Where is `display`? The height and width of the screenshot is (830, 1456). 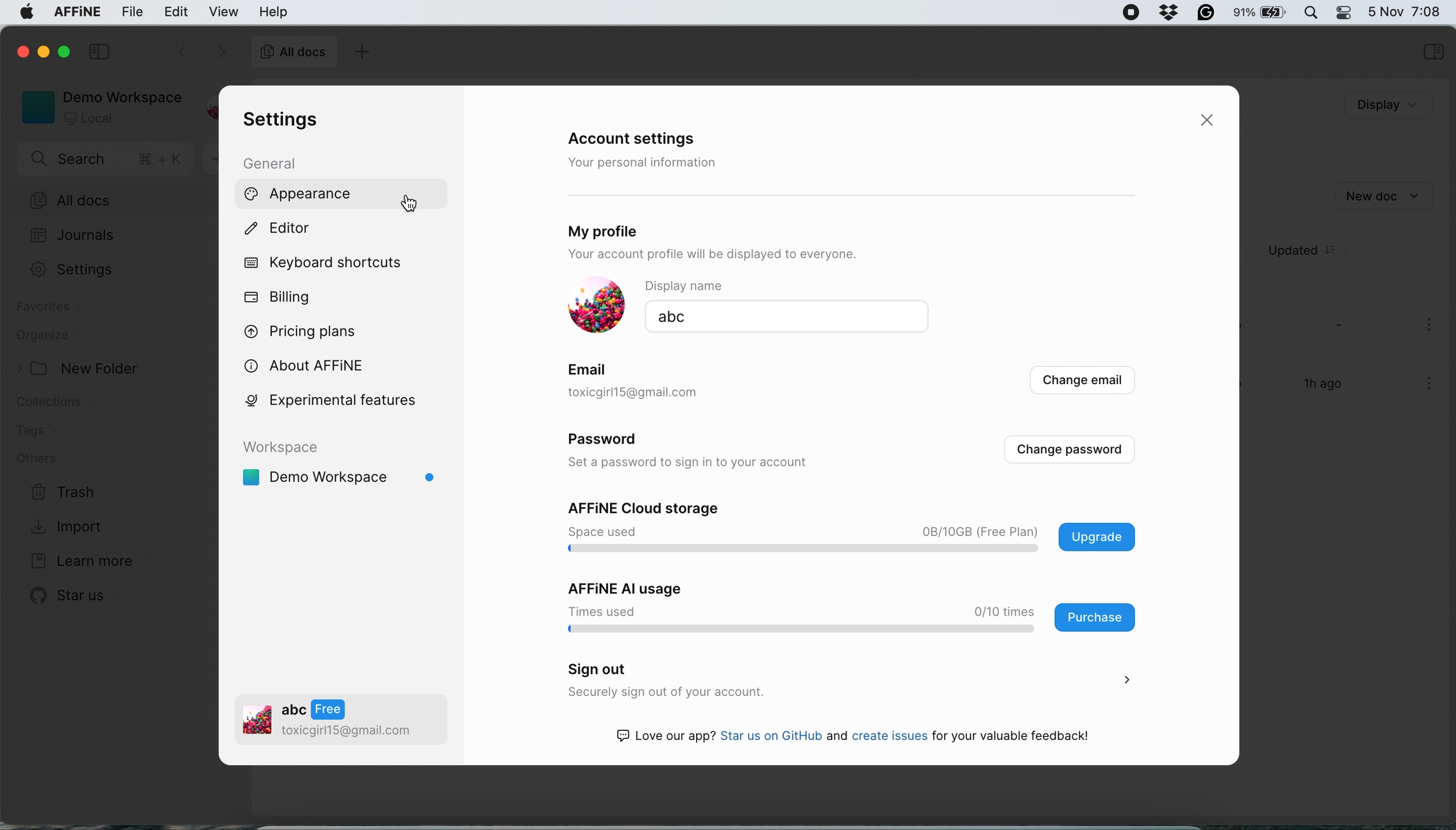
display is located at coordinates (1384, 104).